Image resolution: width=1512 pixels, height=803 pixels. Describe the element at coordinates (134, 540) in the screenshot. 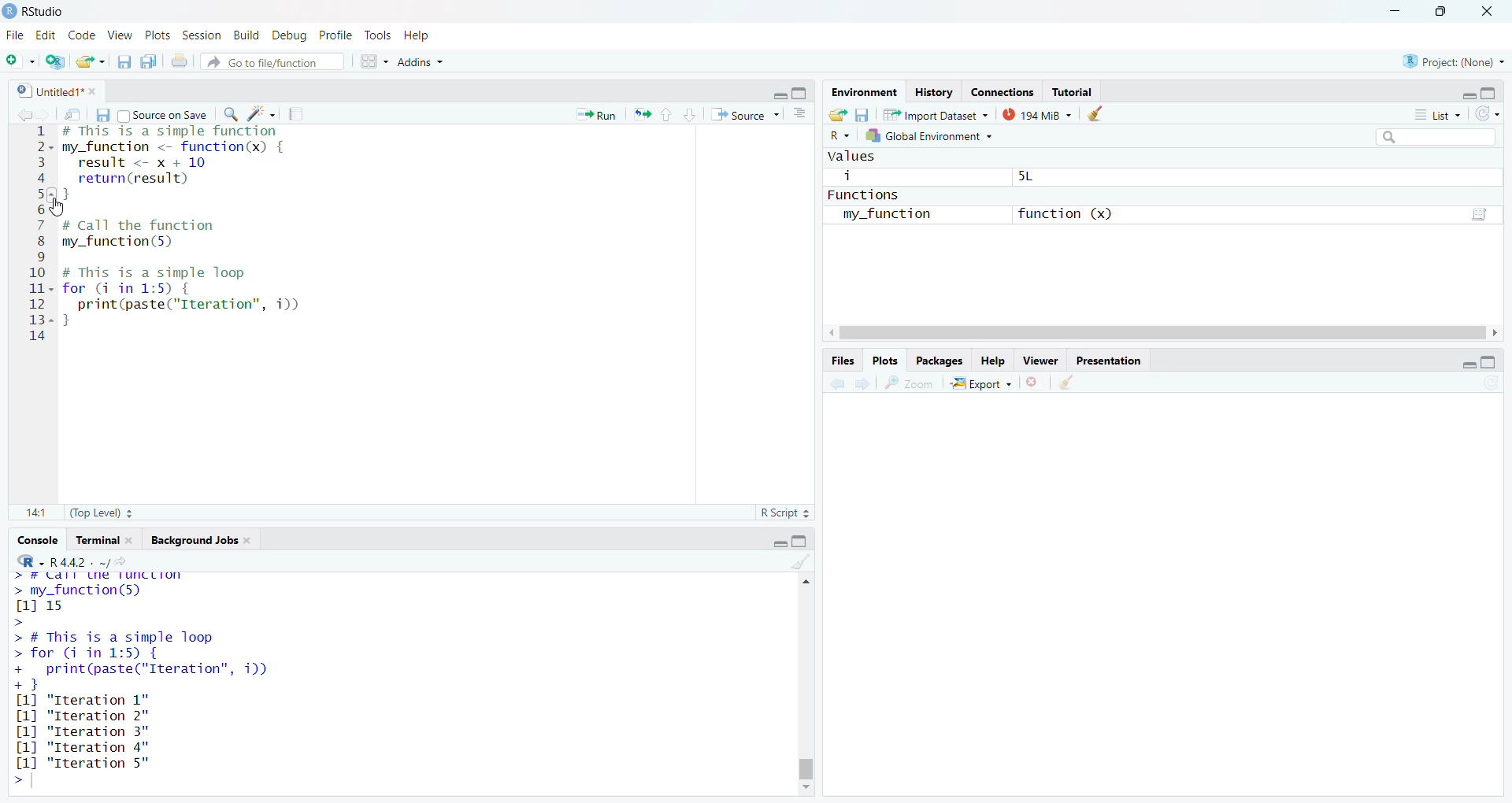

I see `close ` at that location.